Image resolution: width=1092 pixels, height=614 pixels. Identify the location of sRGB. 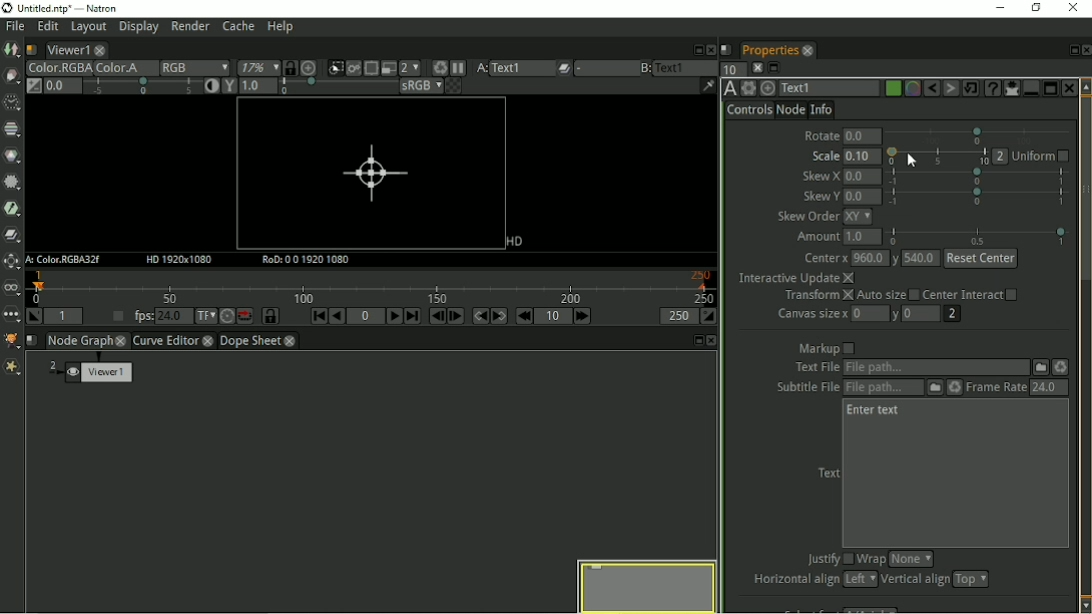
(421, 88).